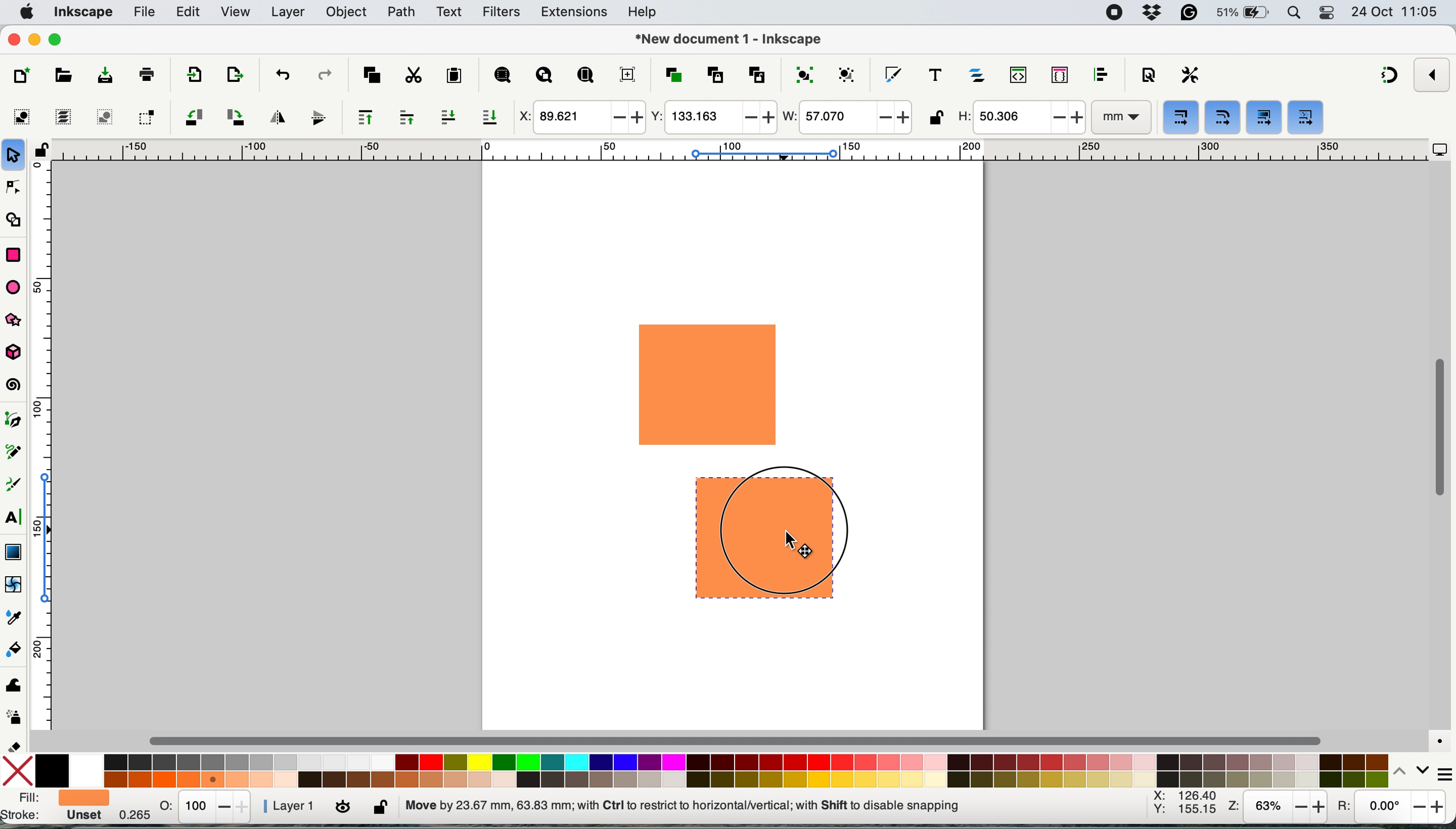 This screenshot has height=829, width=1456. Describe the element at coordinates (704, 806) in the screenshot. I see `no objects selected` at that location.